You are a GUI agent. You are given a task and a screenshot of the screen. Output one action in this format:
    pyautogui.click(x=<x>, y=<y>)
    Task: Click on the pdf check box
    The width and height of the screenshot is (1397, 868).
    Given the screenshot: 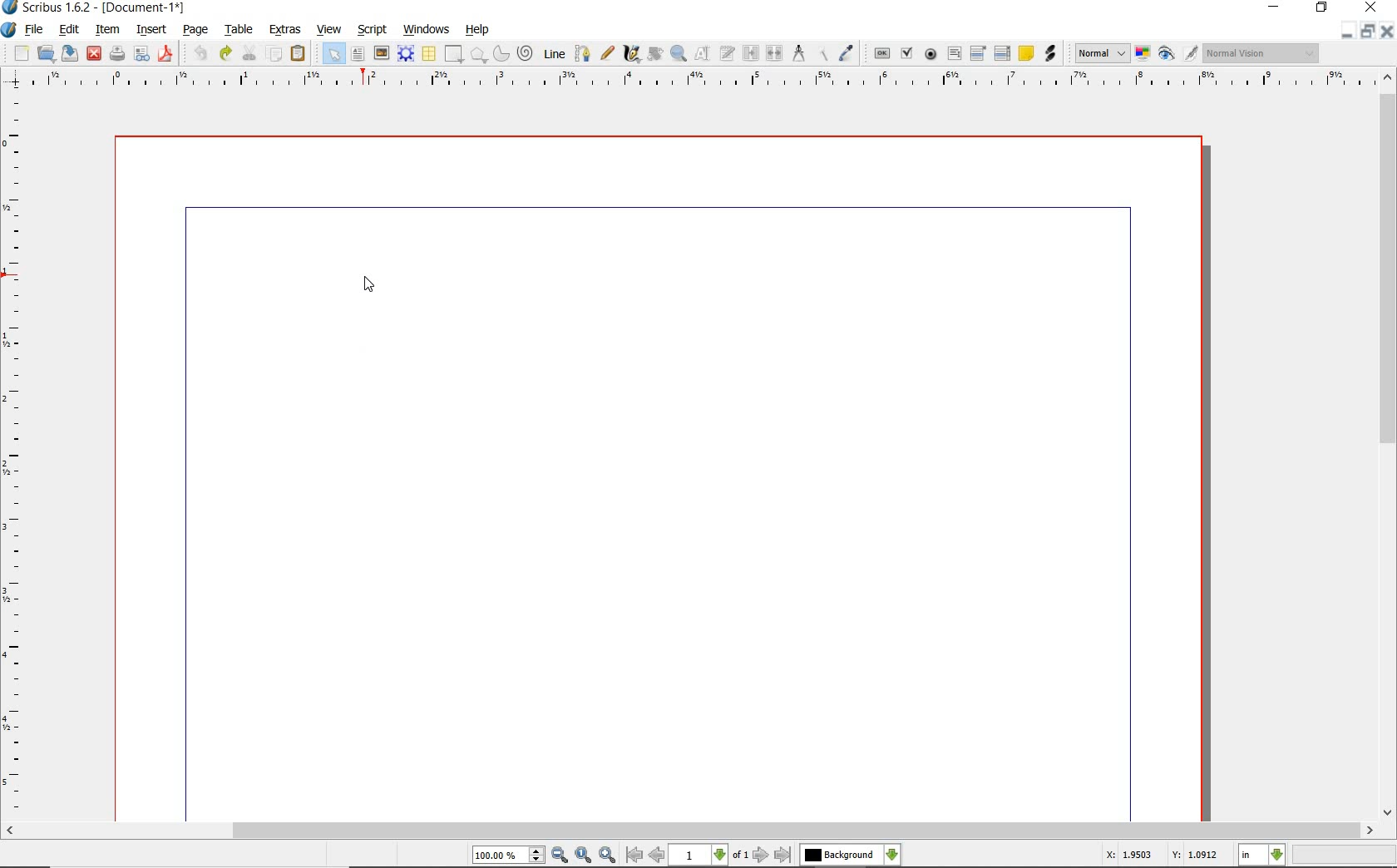 What is the action you would take?
    pyautogui.click(x=909, y=55)
    